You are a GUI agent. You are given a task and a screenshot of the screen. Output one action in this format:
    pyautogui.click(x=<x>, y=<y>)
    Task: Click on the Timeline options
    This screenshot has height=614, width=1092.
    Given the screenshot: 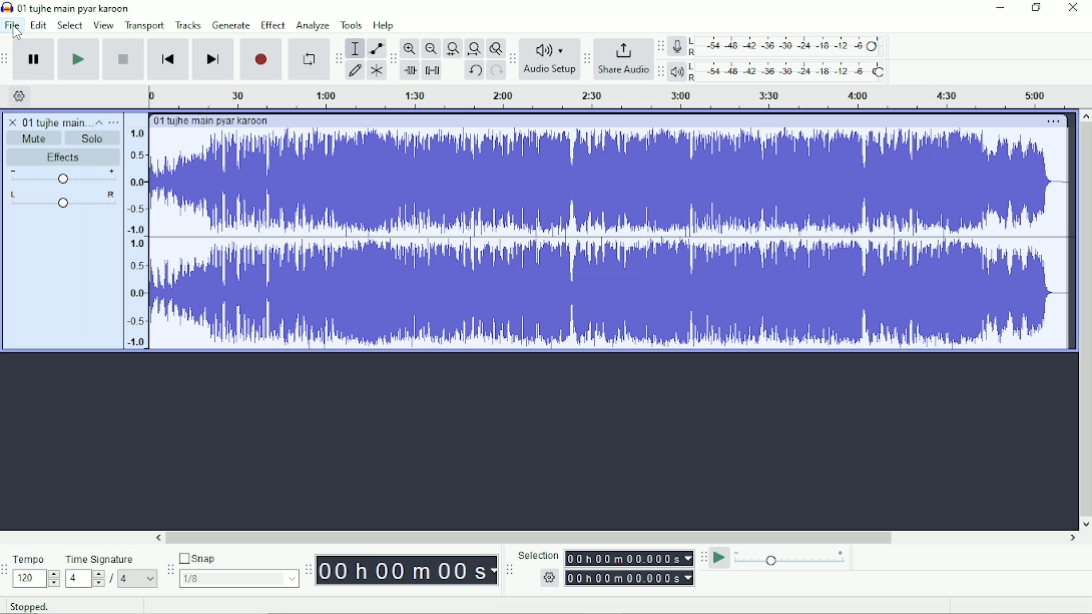 What is the action you would take?
    pyautogui.click(x=20, y=95)
    